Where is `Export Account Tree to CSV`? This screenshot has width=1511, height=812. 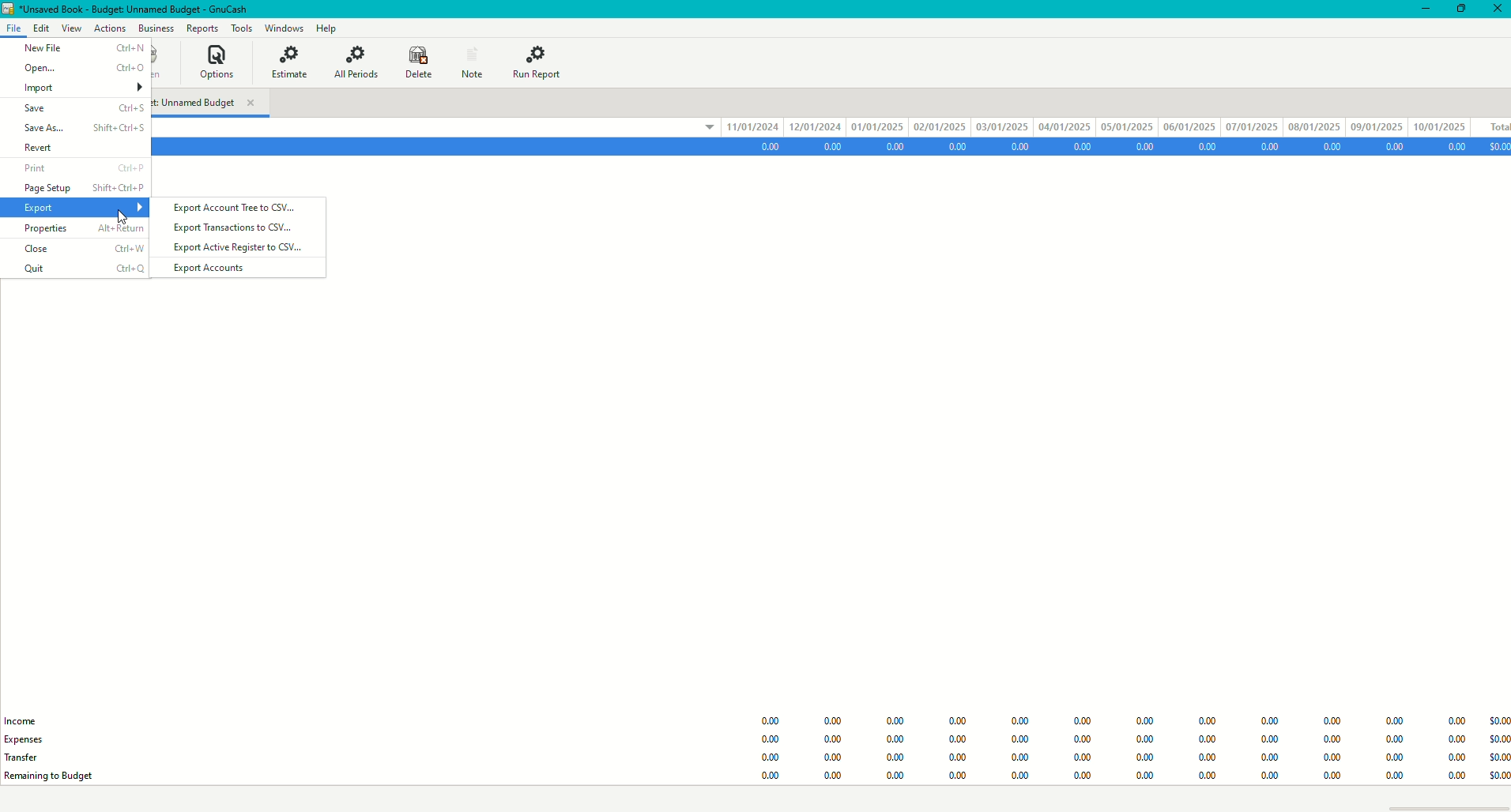 Export Account Tree to CSV is located at coordinates (237, 209).